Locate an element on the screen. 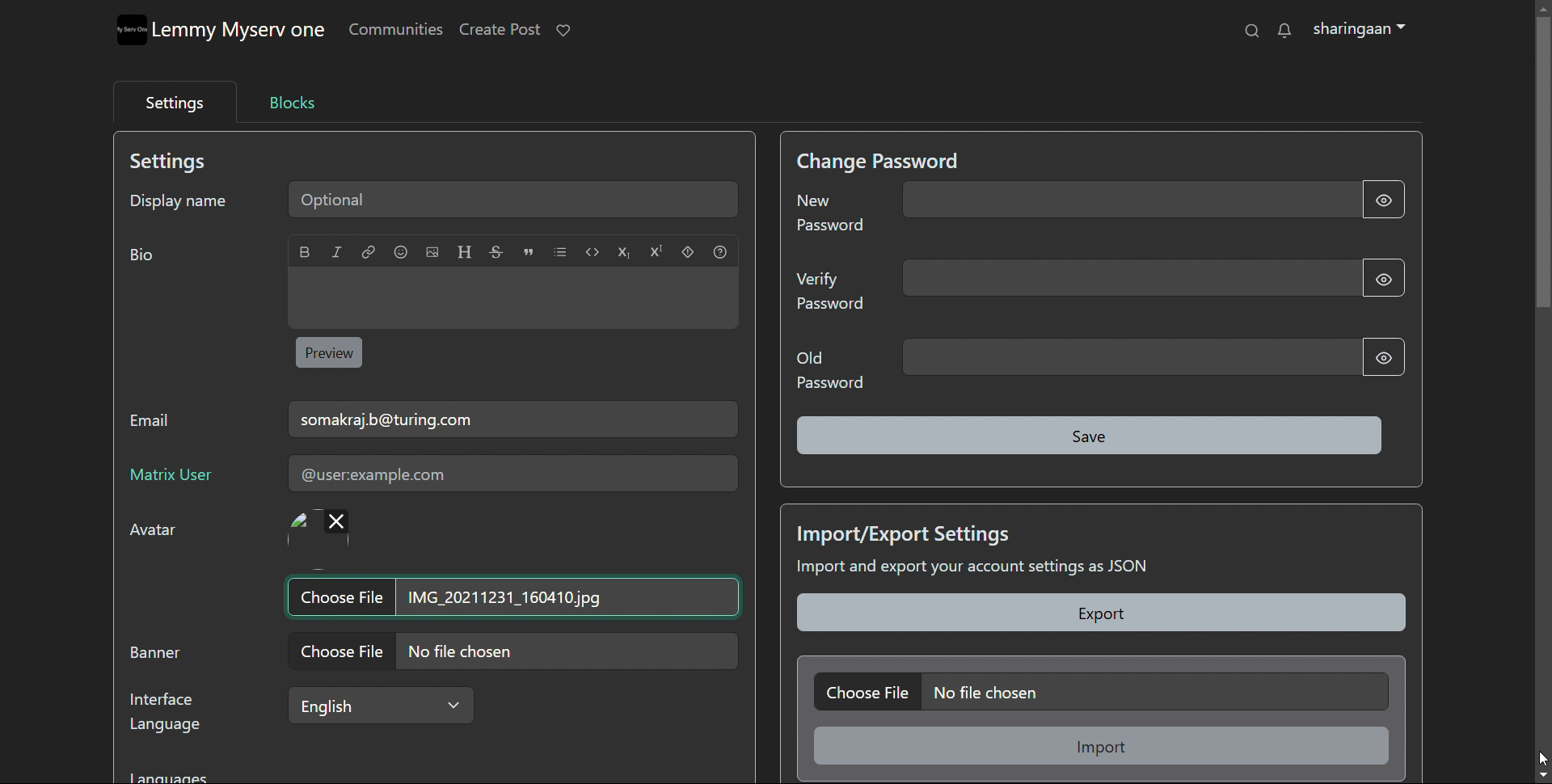  notifications is located at coordinates (1284, 30).